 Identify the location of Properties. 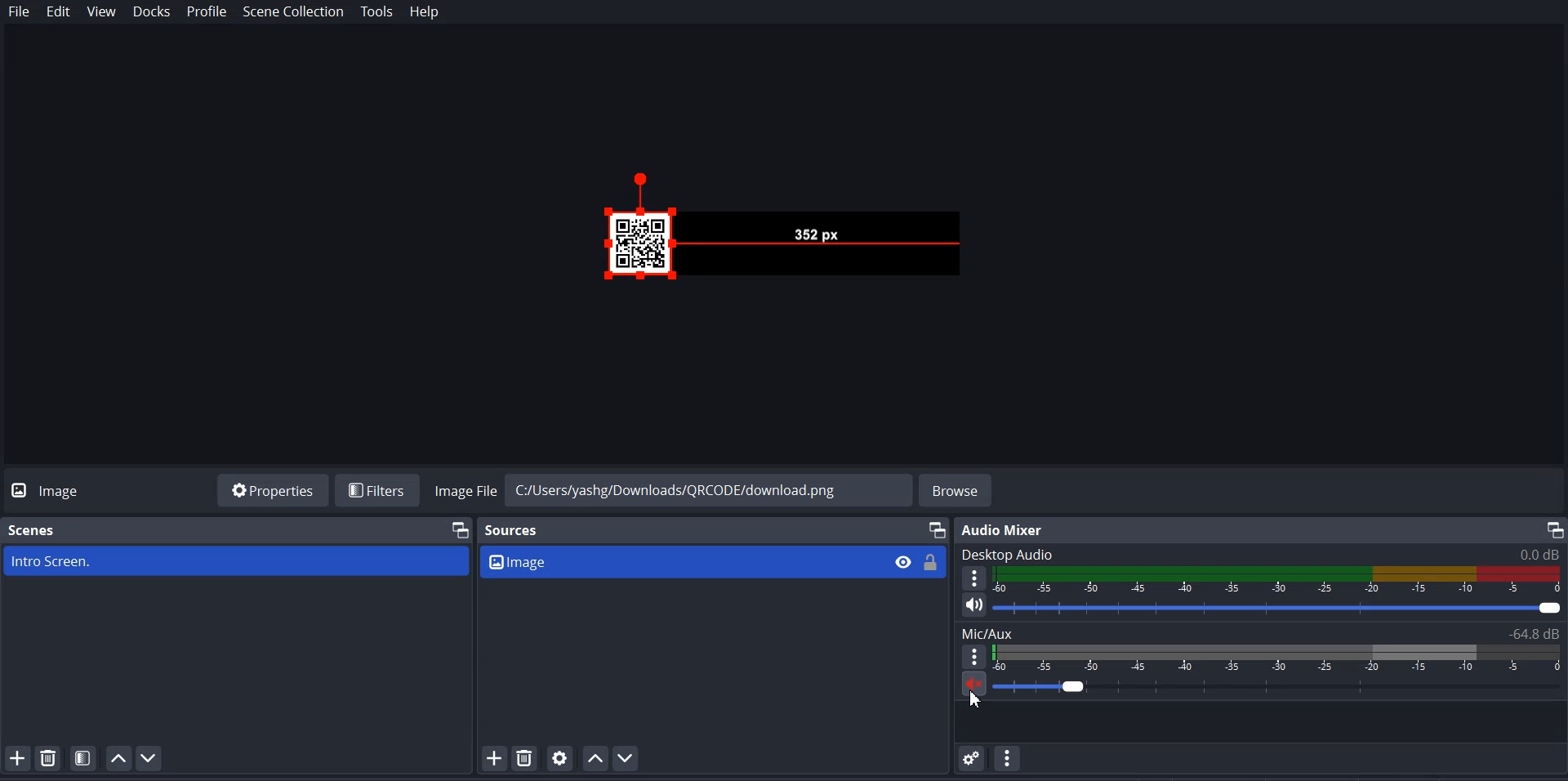
(272, 489).